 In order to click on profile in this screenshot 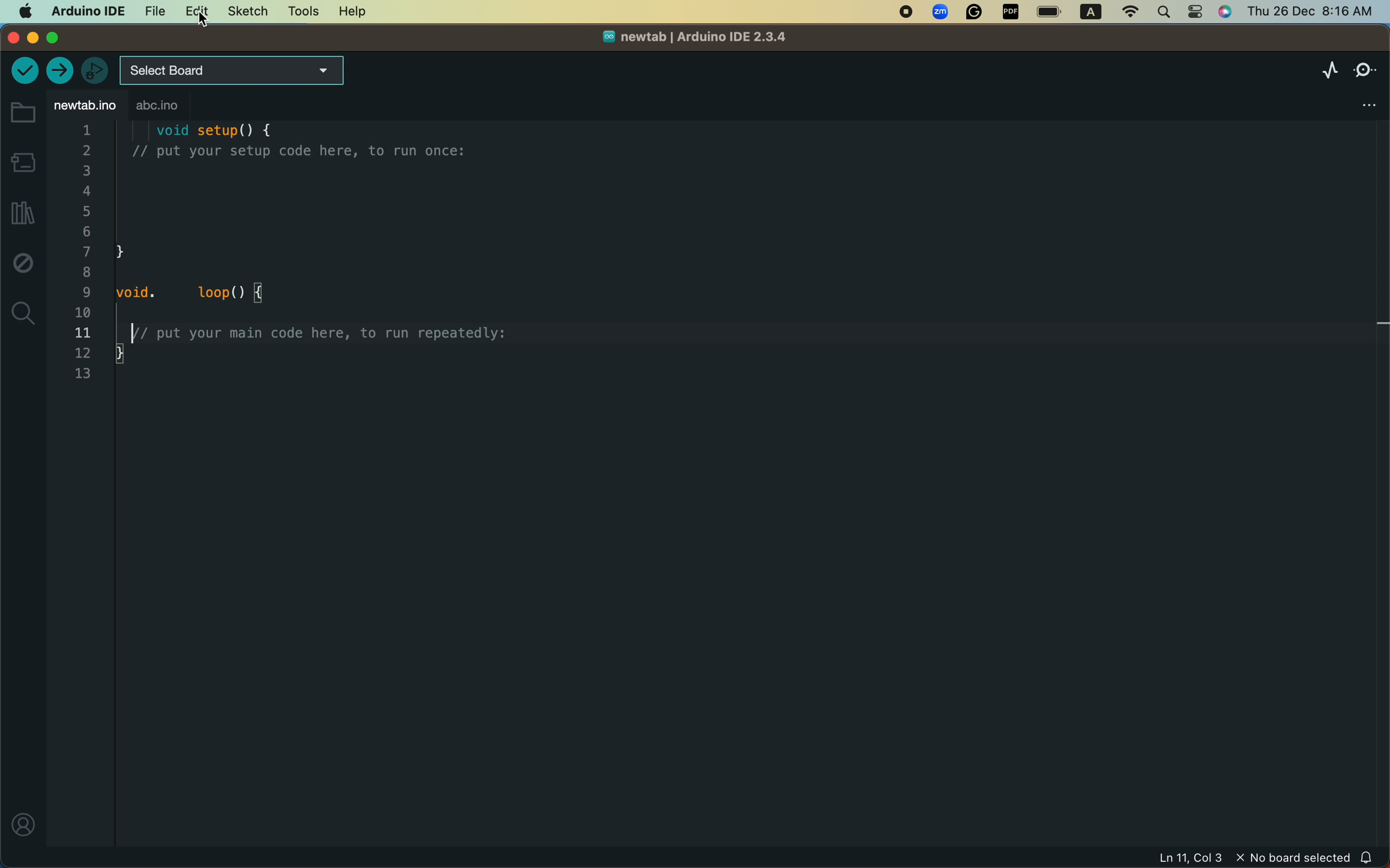, I will do `click(21, 824)`.